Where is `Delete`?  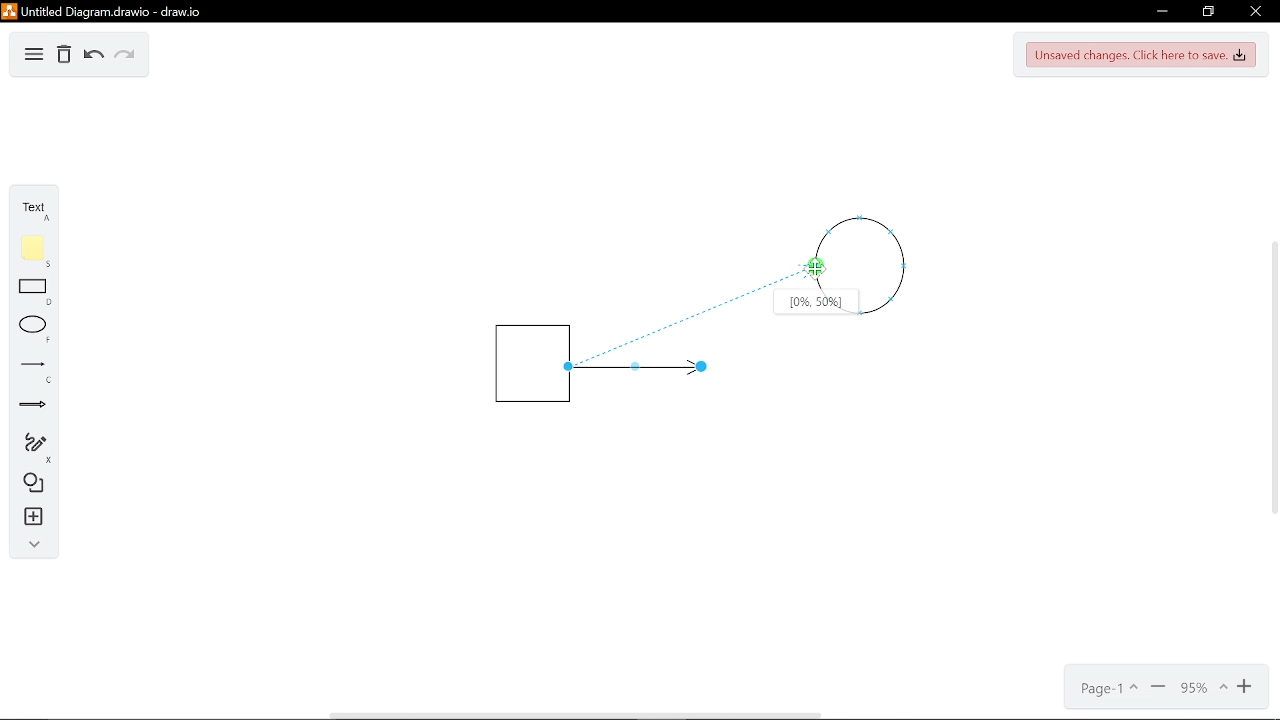
Delete is located at coordinates (64, 55).